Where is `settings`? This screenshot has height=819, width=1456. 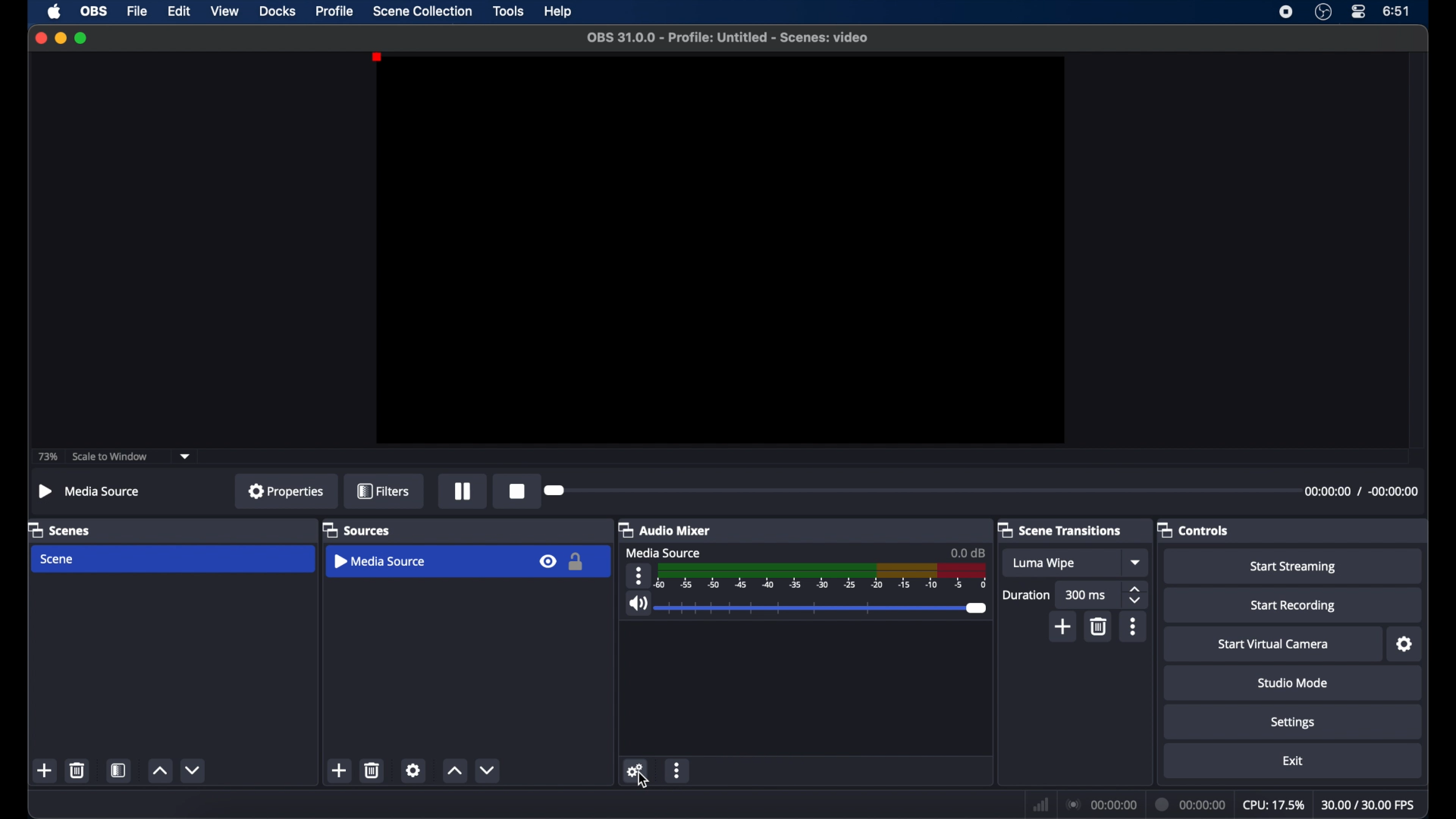
settings is located at coordinates (1405, 645).